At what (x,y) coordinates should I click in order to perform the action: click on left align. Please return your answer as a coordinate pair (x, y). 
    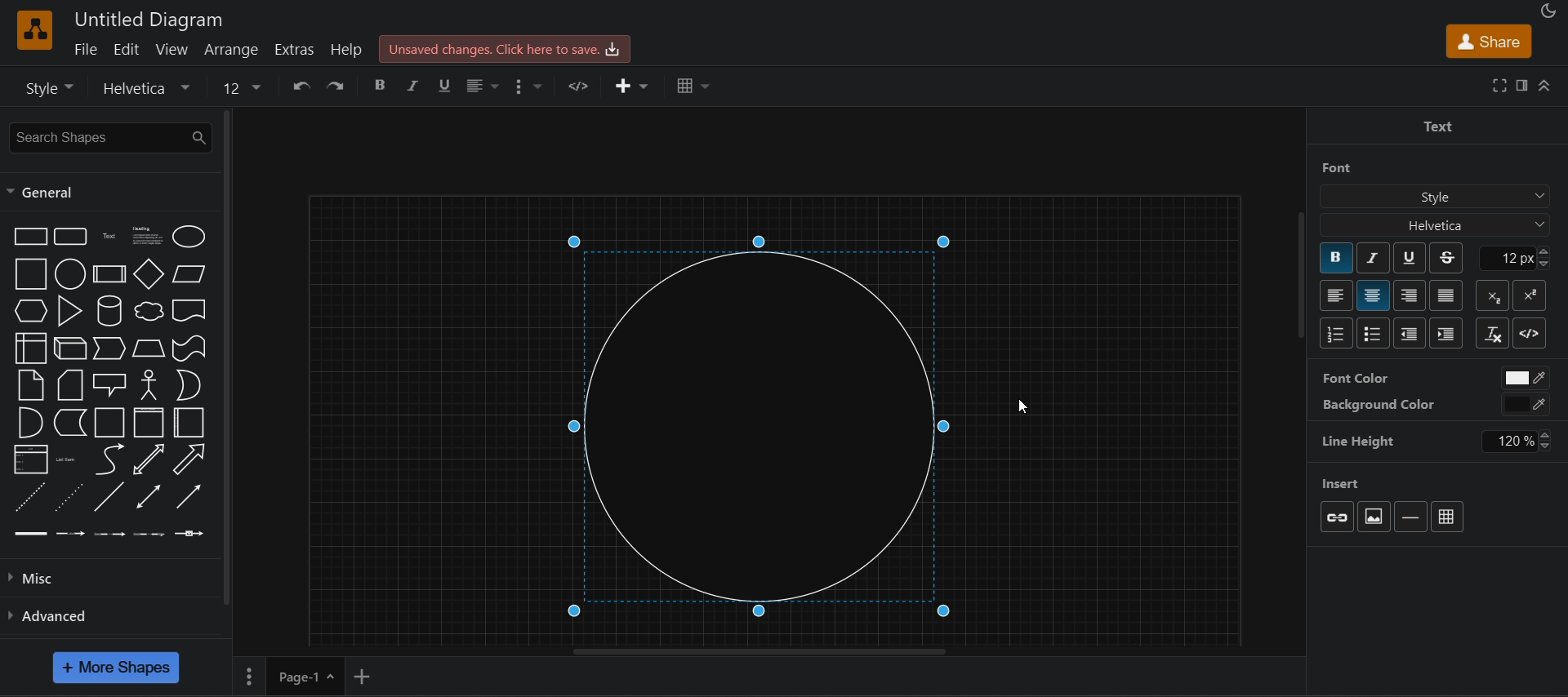
    Looking at the image, I should click on (481, 87).